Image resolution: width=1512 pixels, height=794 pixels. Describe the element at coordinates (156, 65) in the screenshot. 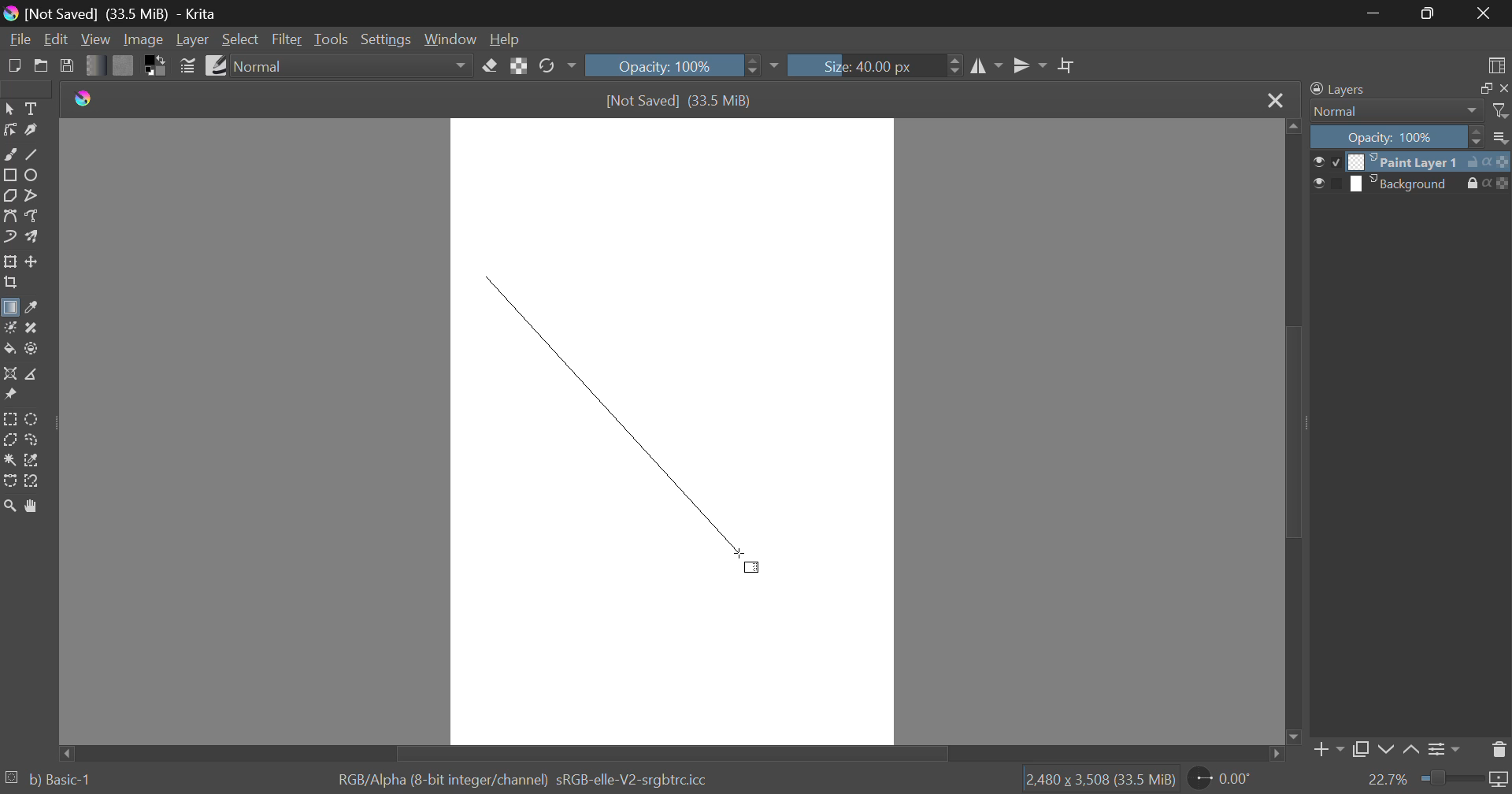

I see `Colors in use` at that location.